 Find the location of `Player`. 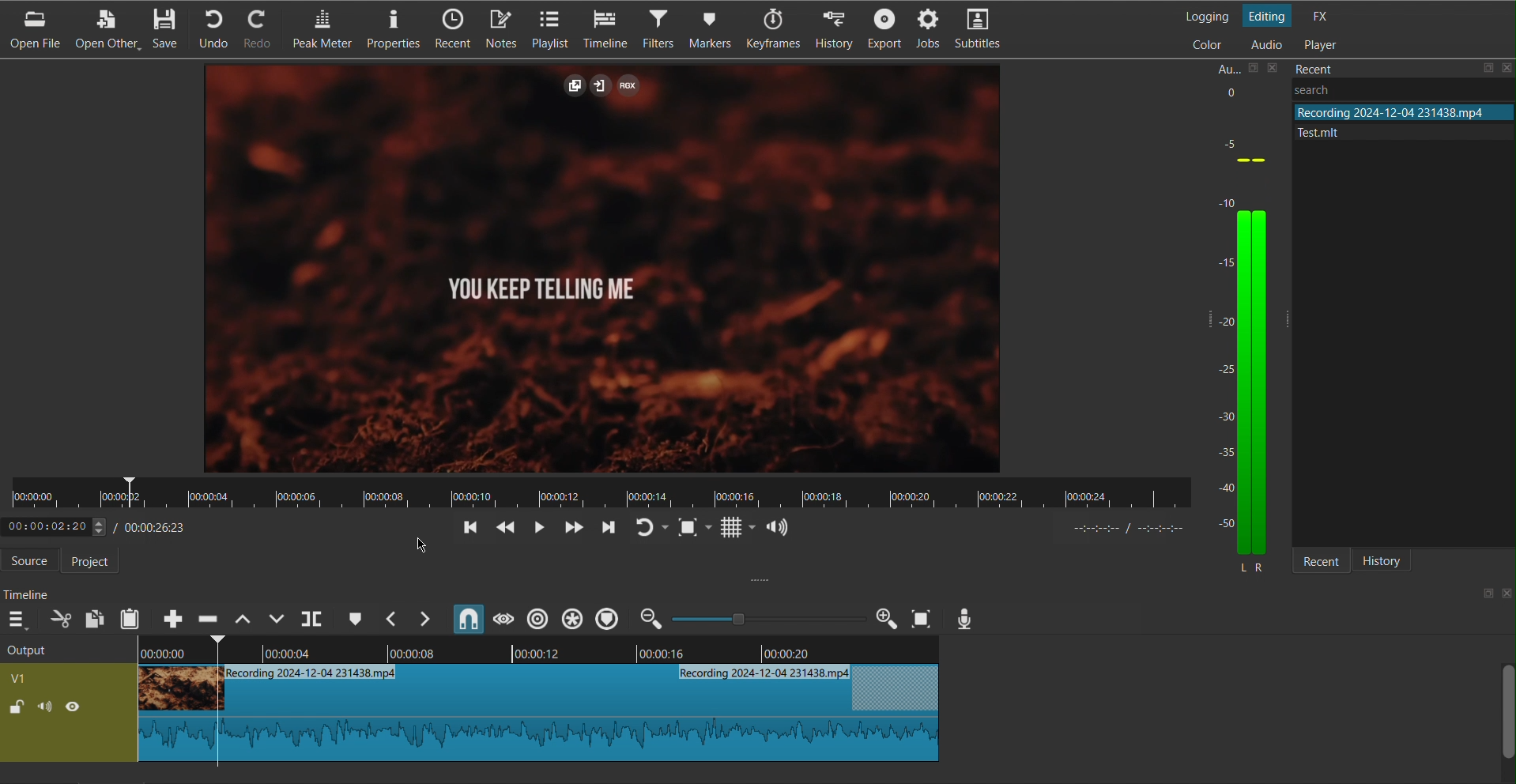

Player is located at coordinates (1319, 43).